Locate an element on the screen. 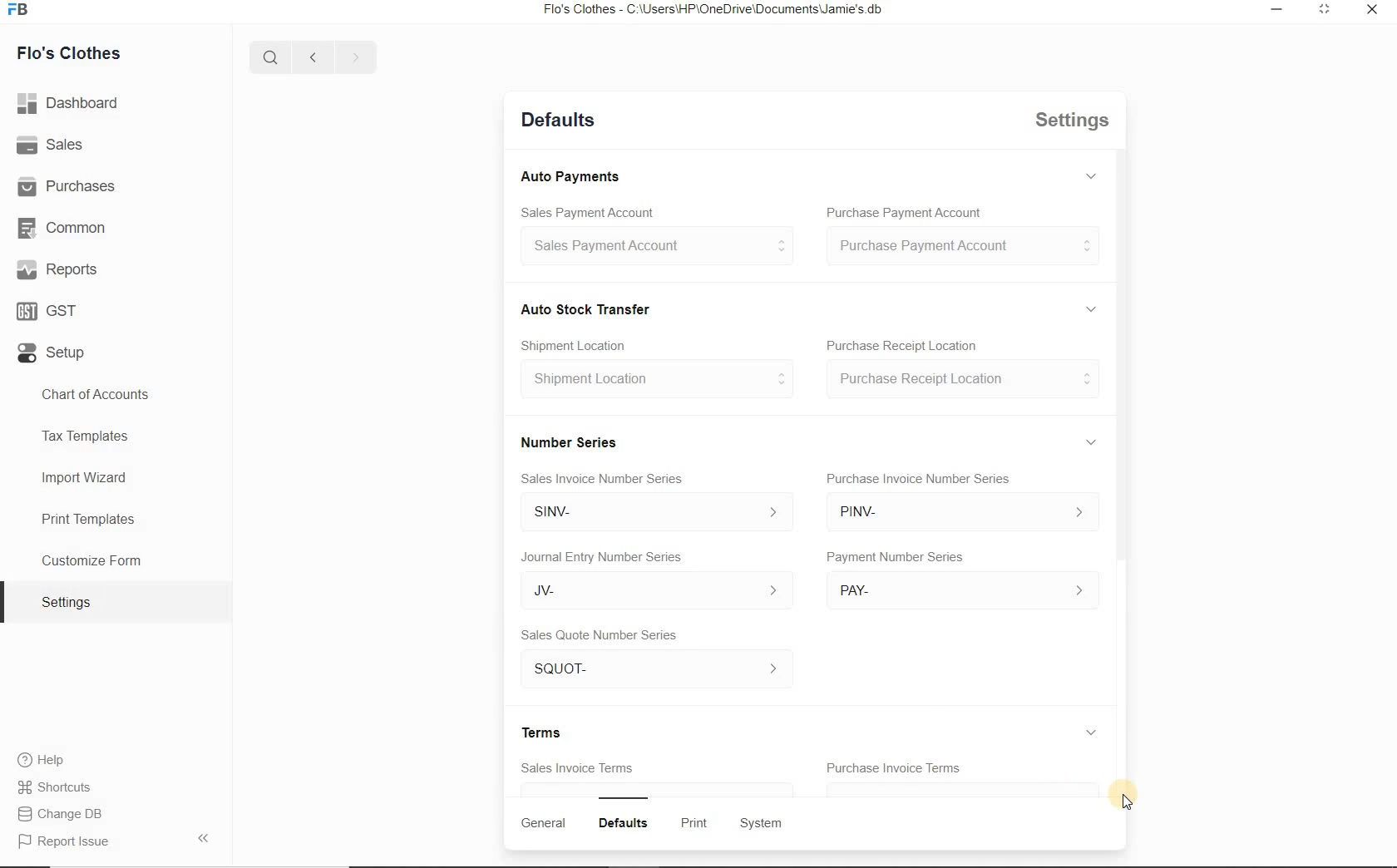 The width and height of the screenshot is (1397, 868). Expand is located at coordinates (784, 245).